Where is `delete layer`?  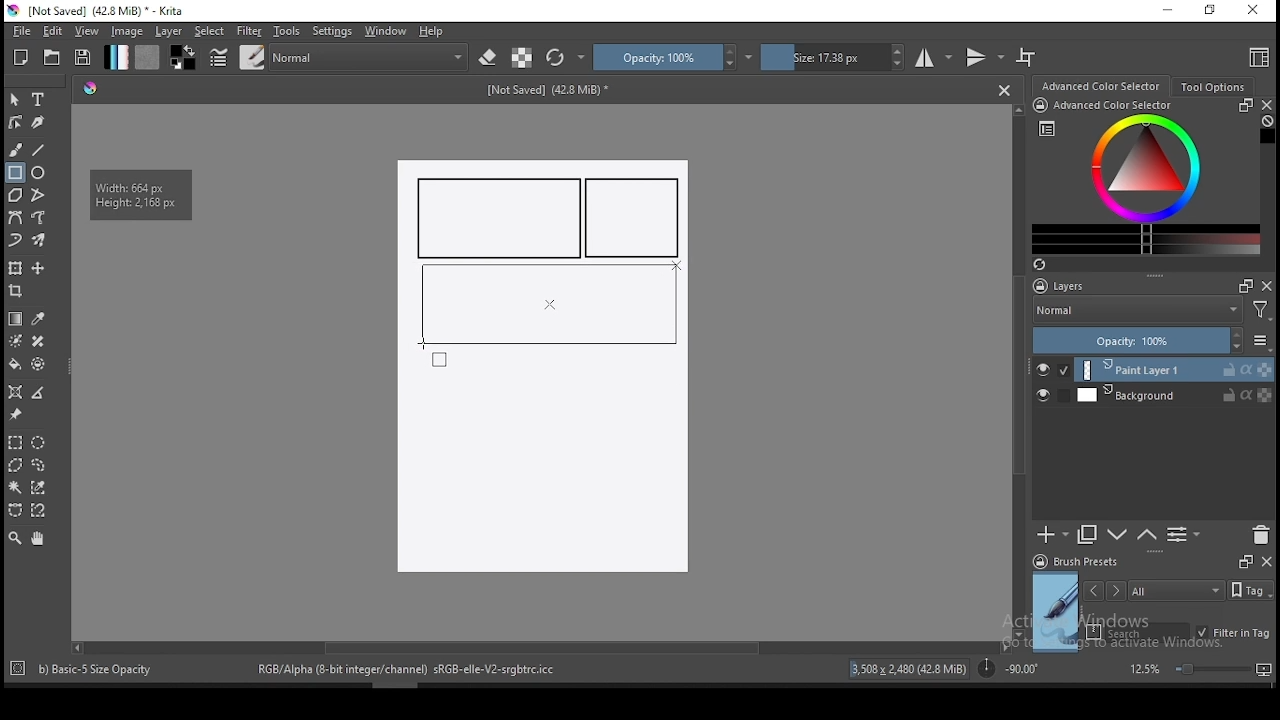 delete layer is located at coordinates (1260, 536).